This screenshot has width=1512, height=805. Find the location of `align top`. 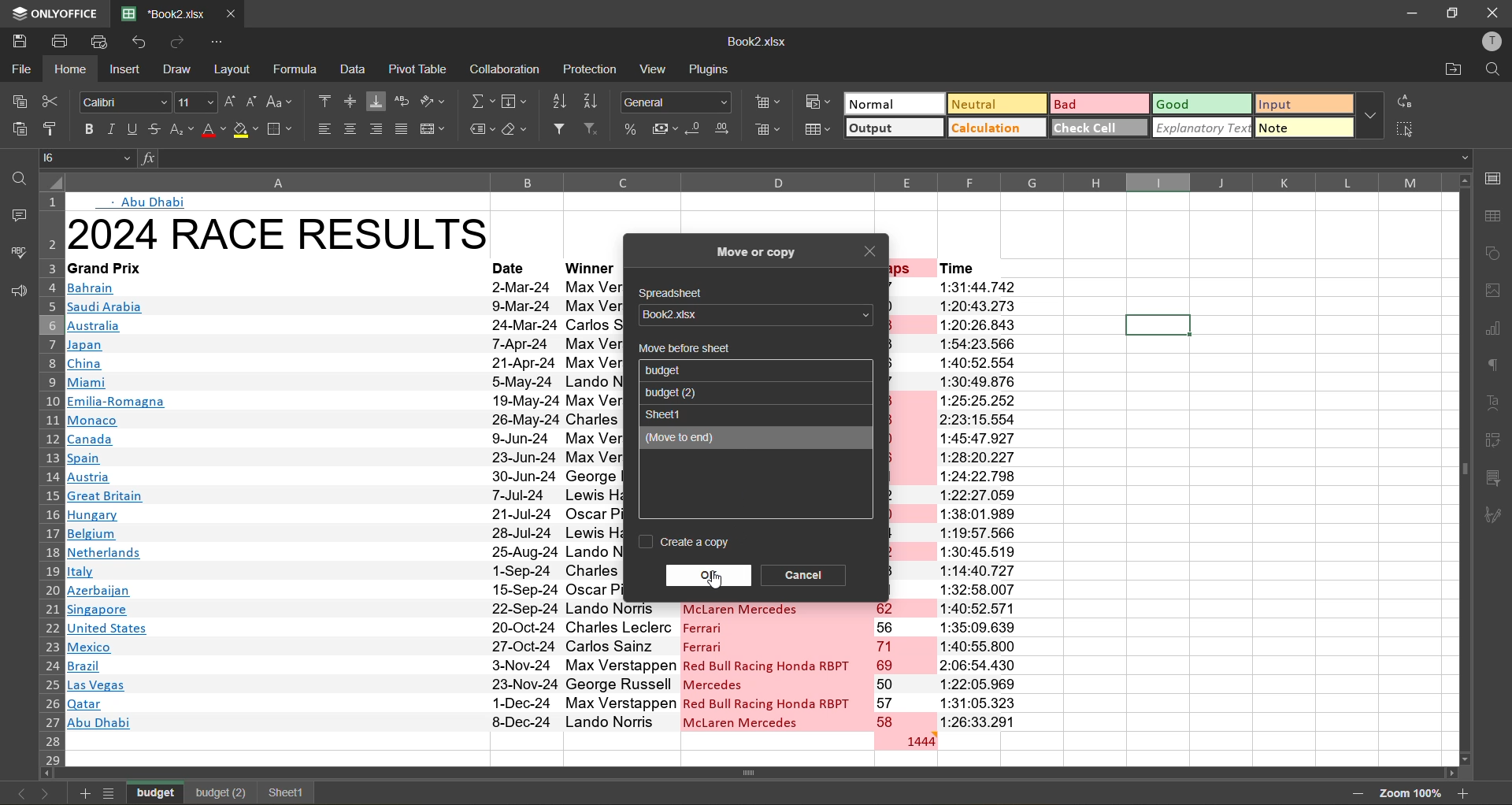

align top is located at coordinates (324, 99).